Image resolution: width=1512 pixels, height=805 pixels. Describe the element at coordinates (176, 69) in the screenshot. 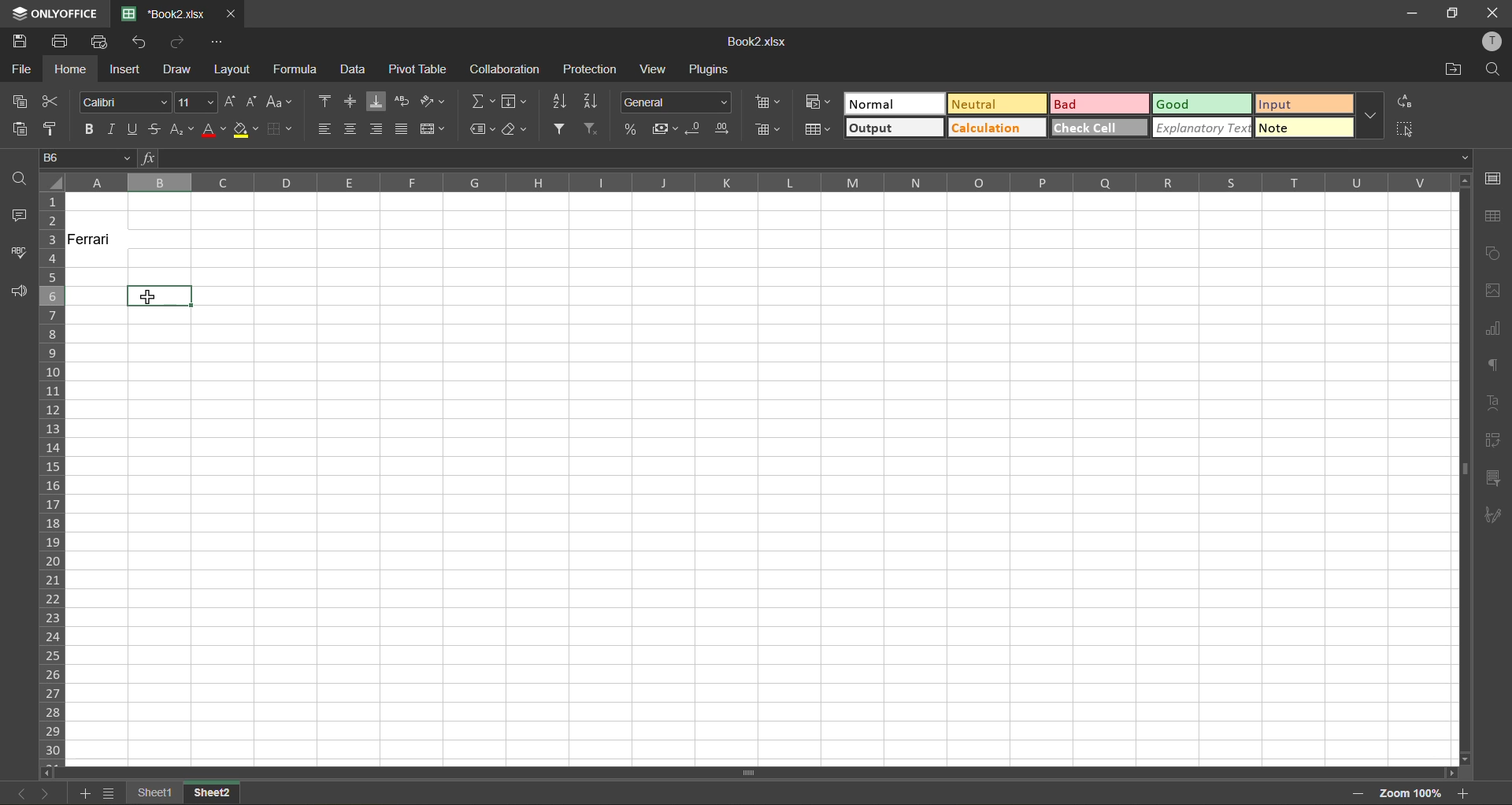

I see `draw` at that location.